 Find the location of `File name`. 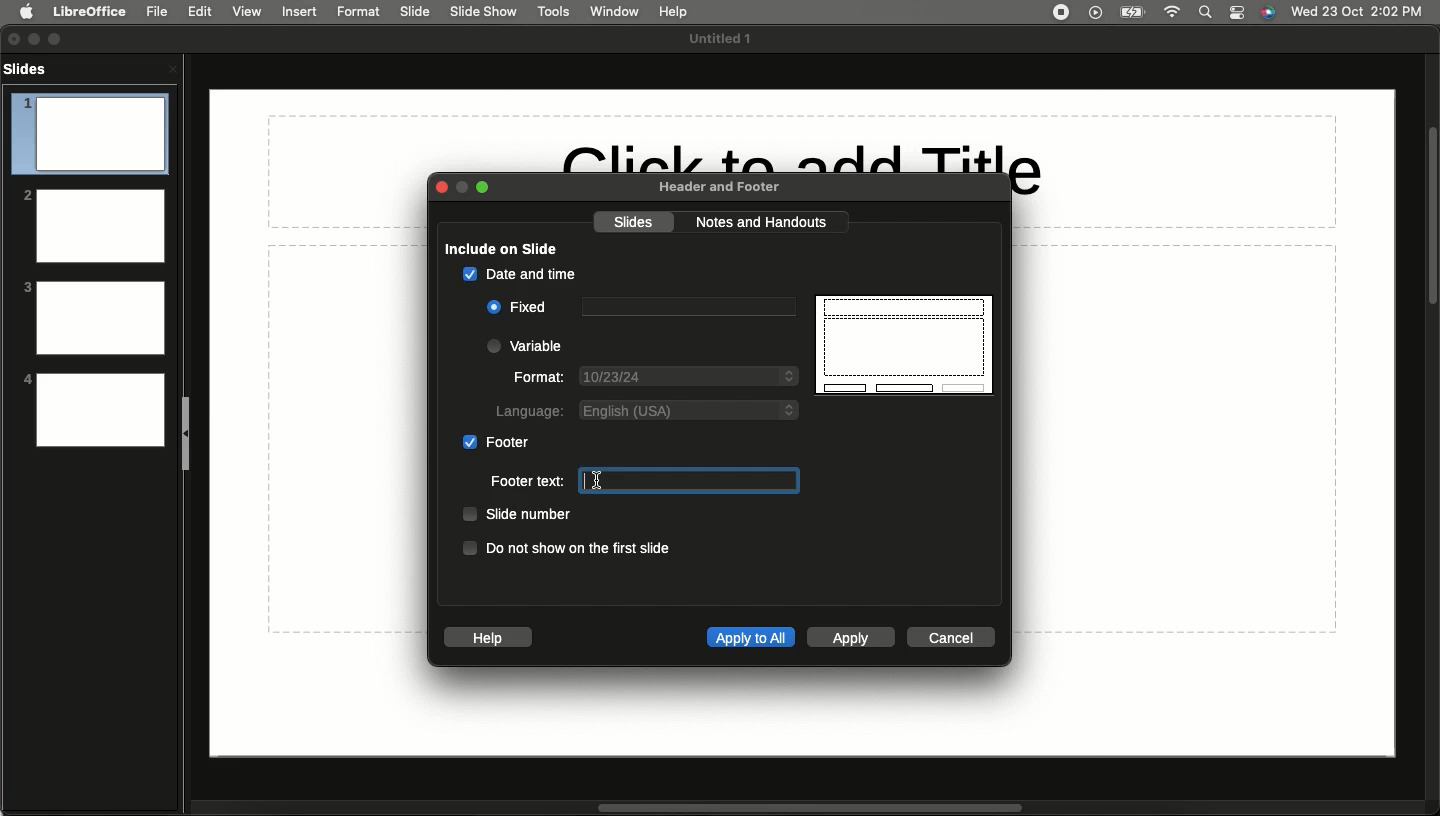

File name is located at coordinates (725, 39).